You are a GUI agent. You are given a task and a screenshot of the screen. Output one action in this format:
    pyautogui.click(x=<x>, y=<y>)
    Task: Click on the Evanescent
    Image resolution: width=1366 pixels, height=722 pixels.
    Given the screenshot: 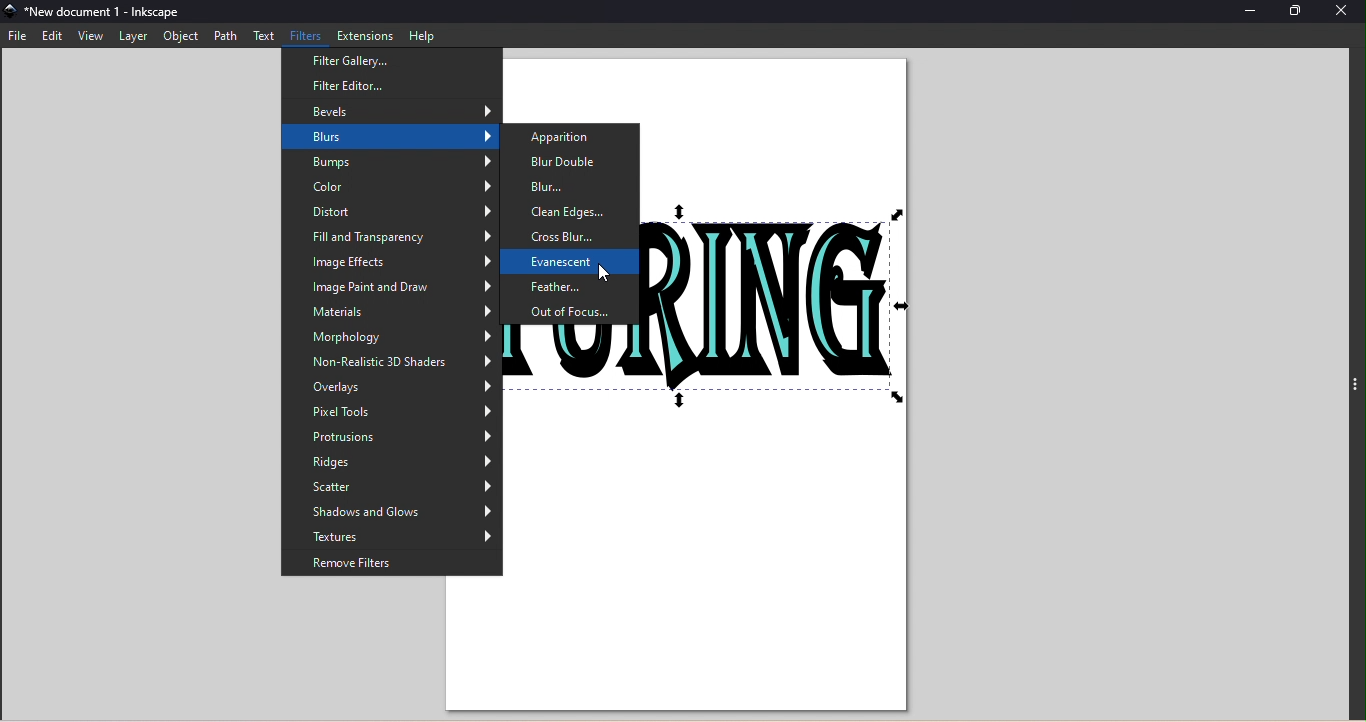 What is the action you would take?
    pyautogui.click(x=574, y=260)
    